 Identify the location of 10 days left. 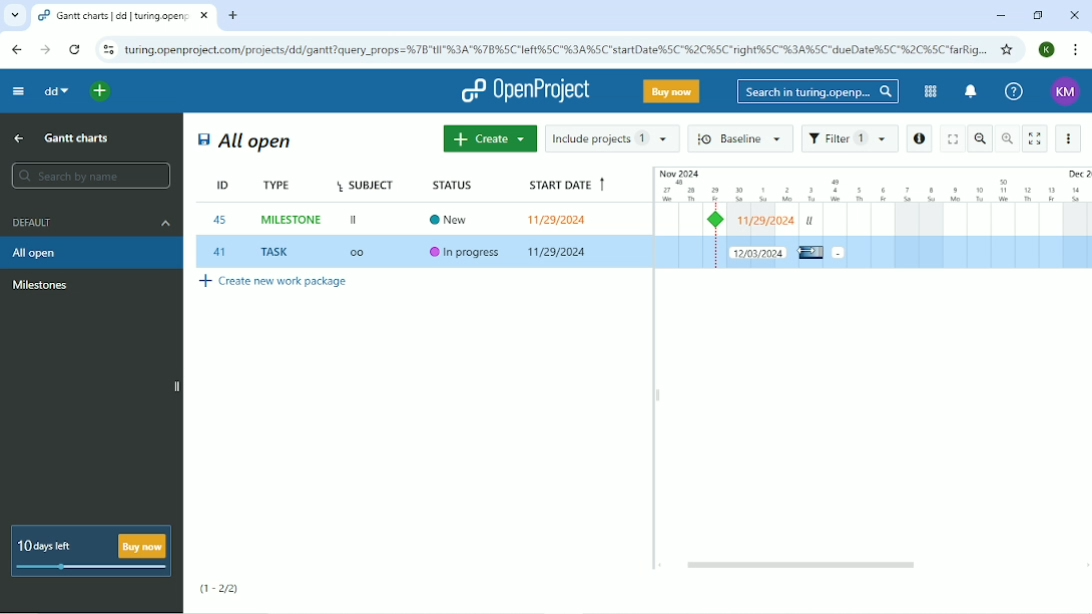
(89, 551).